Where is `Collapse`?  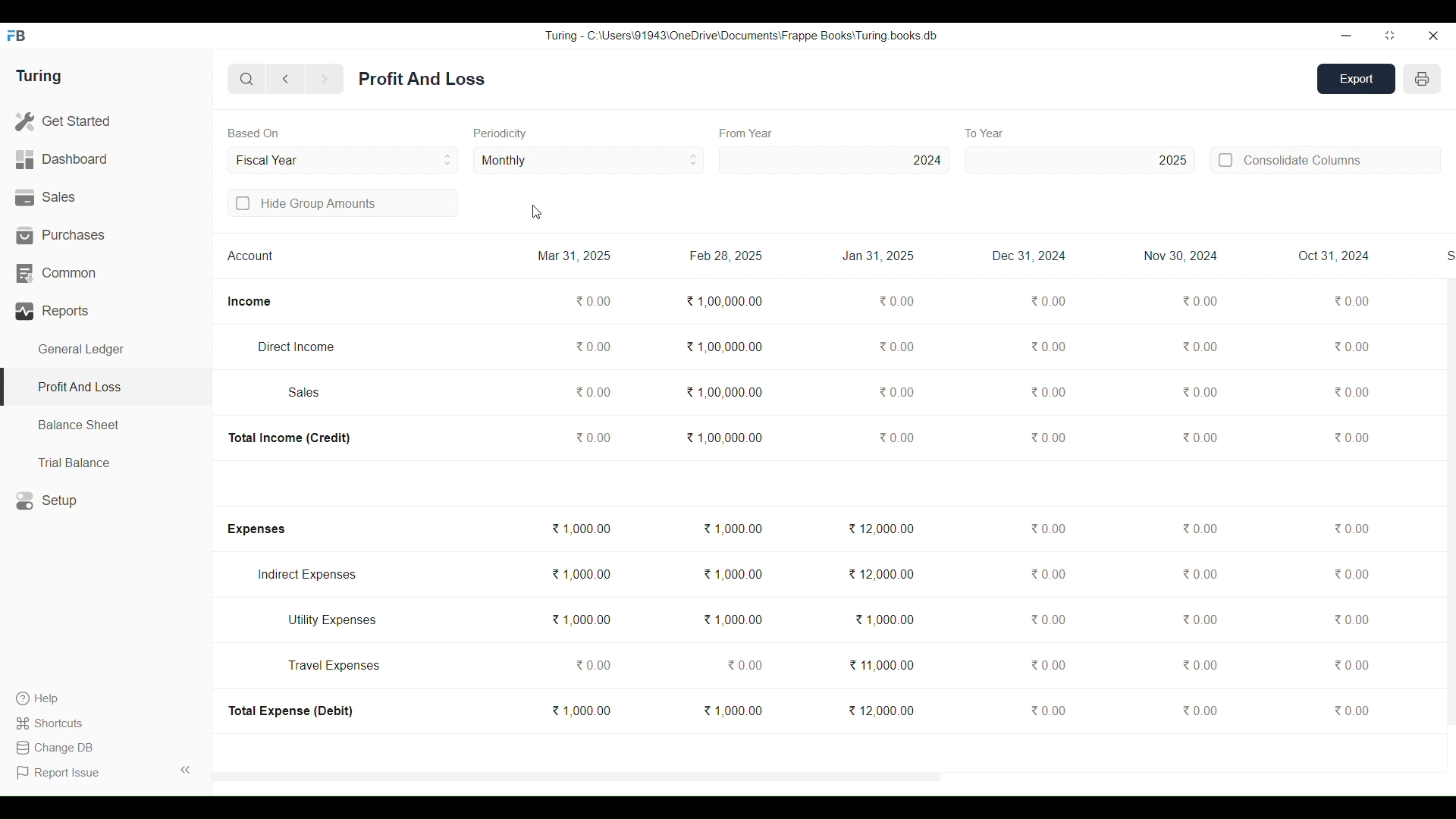
Collapse is located at coordinates (186, 770).